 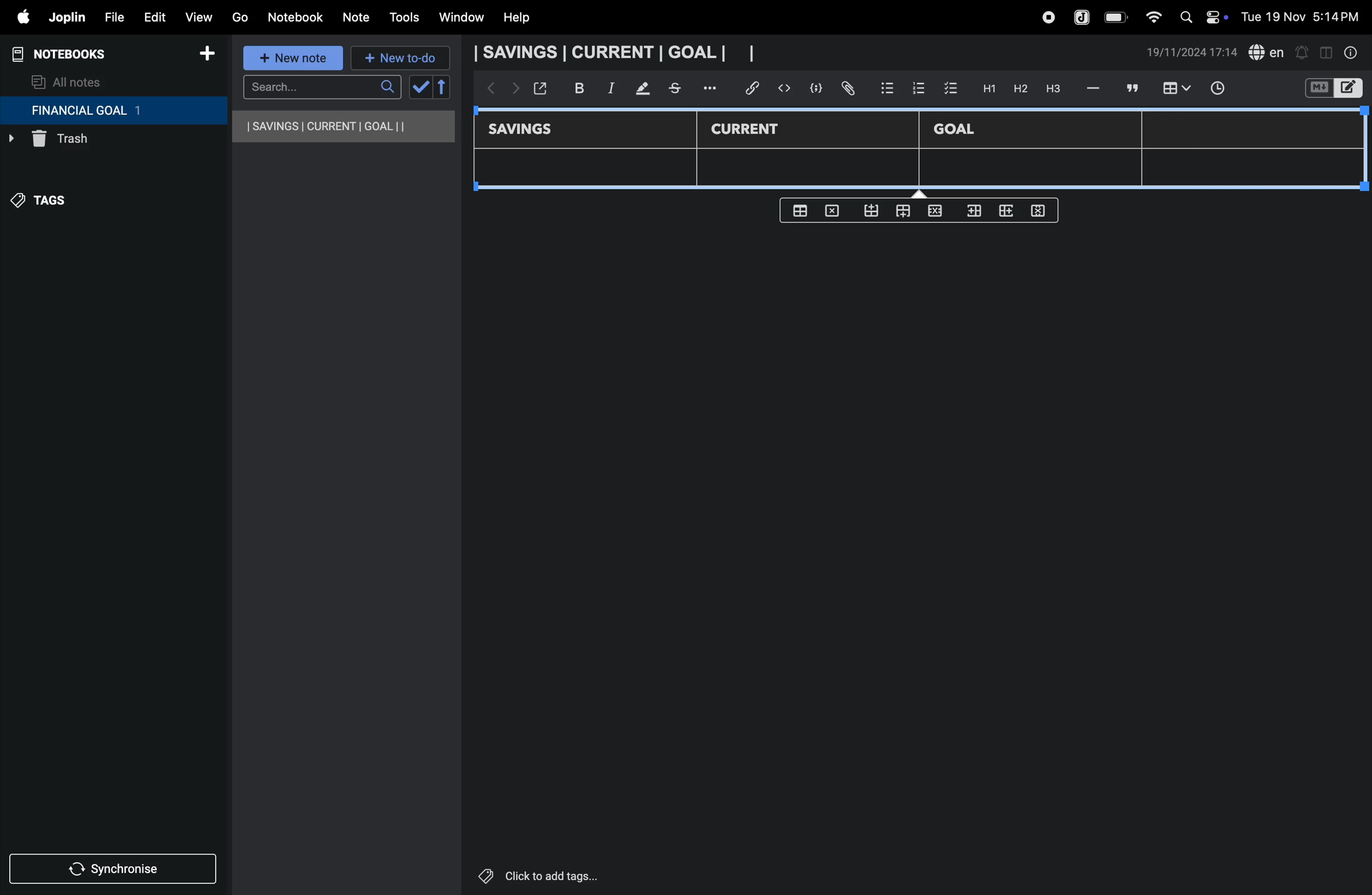 What do you see at coordinates (1174, 89) in the screenshot?
I see `insert table` at bounding box center [1174, 89].